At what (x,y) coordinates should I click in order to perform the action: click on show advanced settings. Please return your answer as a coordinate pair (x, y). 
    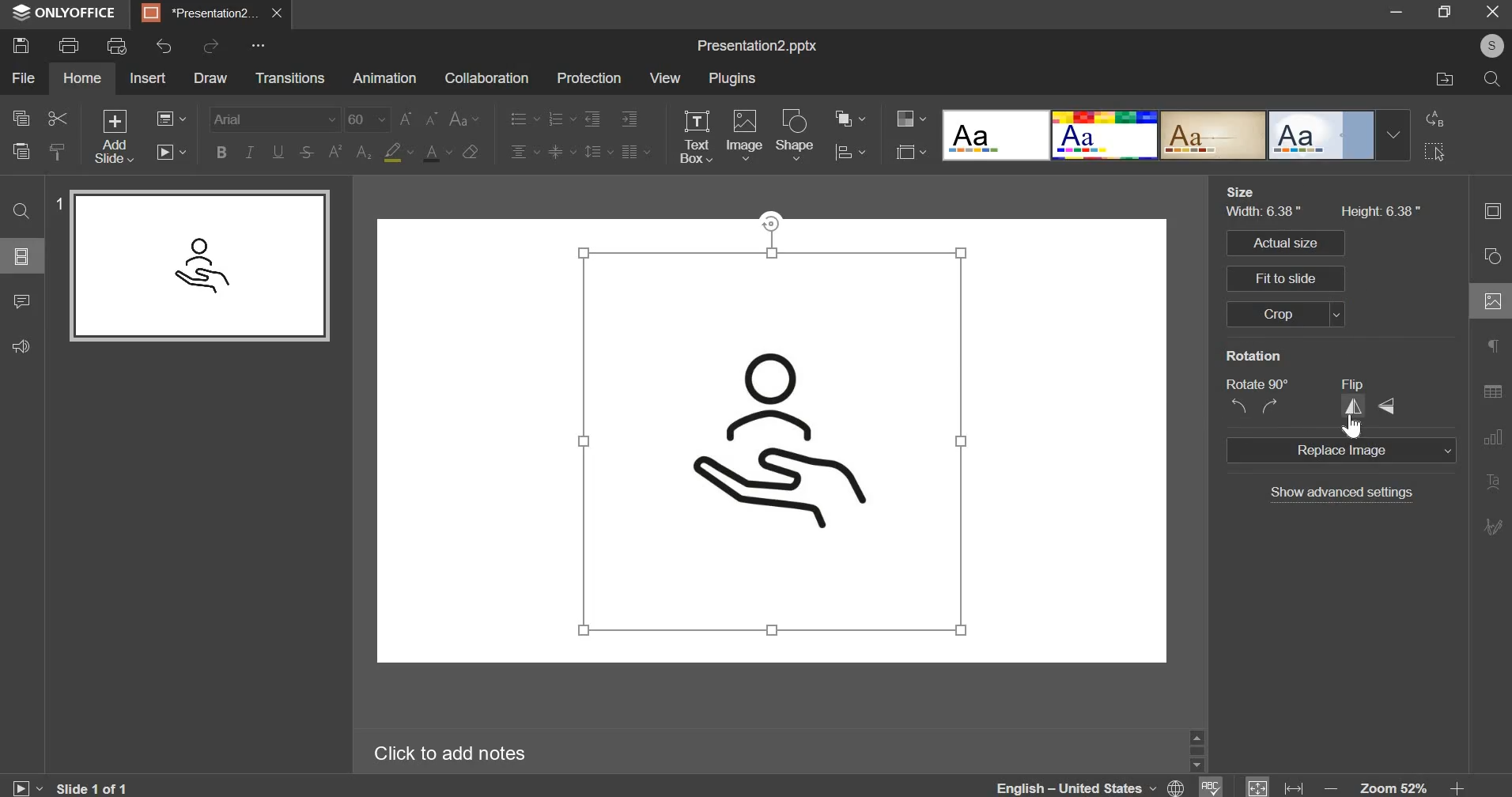
    Looking at the image, I should click on (1336, 493).